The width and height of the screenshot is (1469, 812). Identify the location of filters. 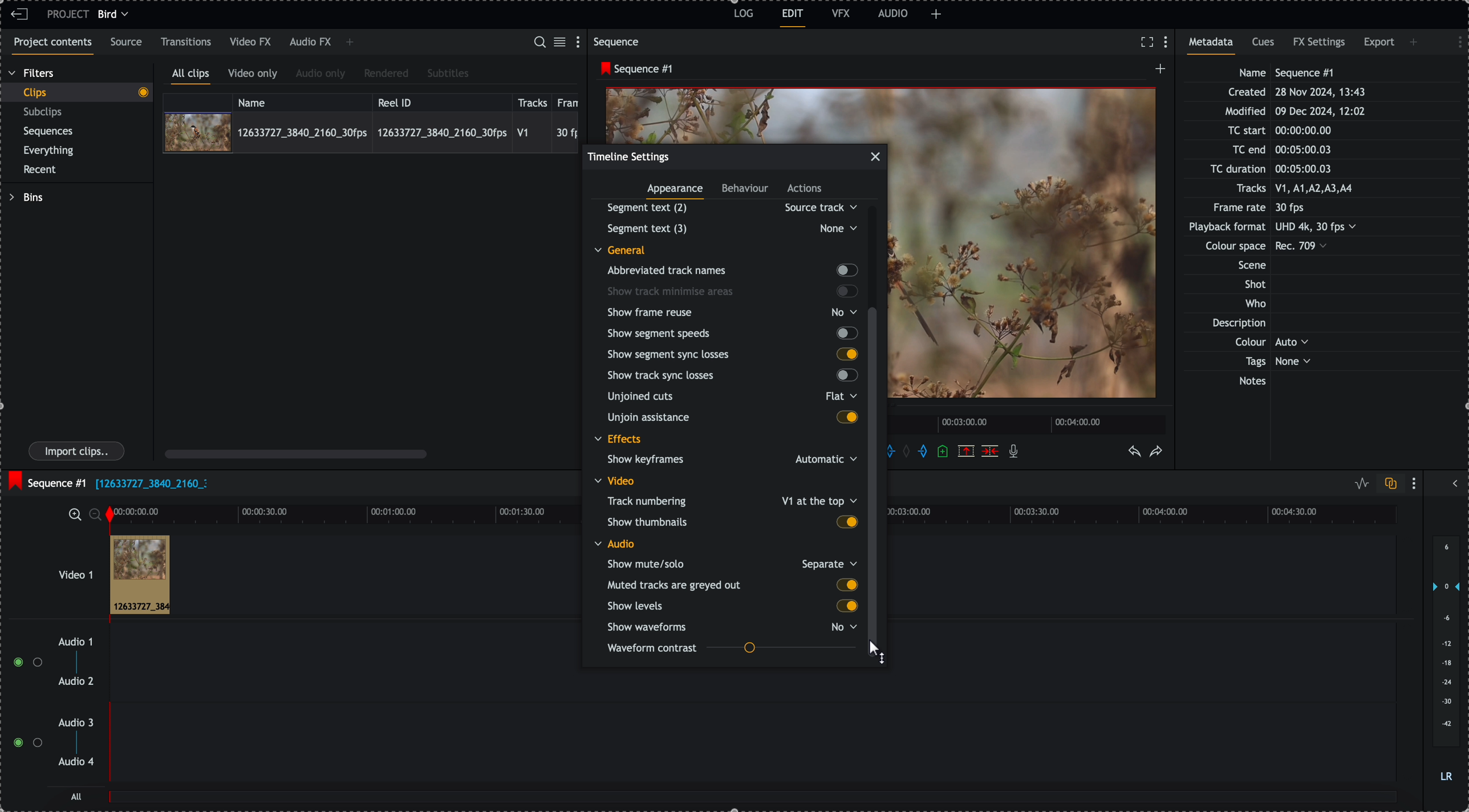
(33, 74).